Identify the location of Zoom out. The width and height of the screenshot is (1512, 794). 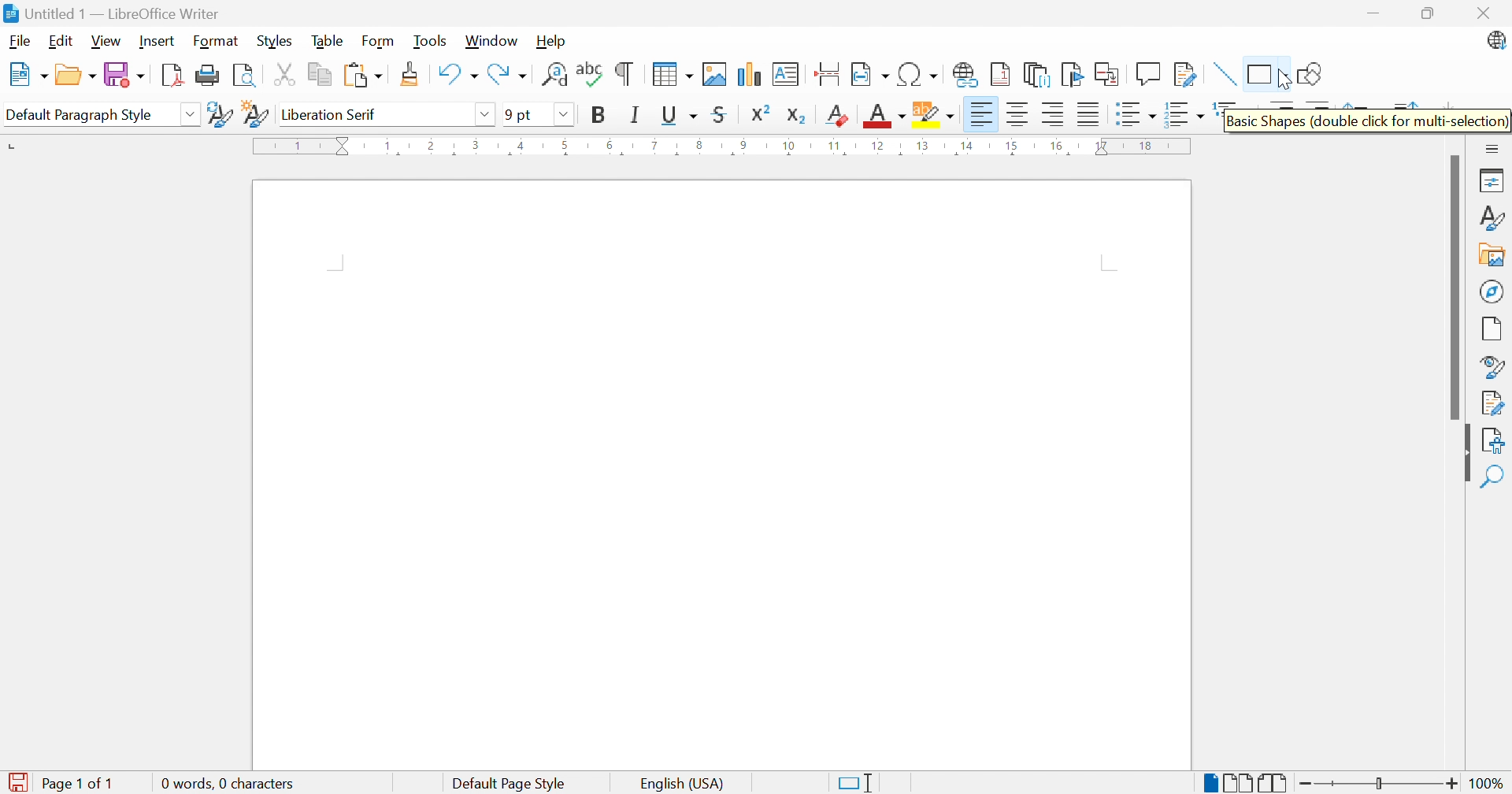
(1307, 785).